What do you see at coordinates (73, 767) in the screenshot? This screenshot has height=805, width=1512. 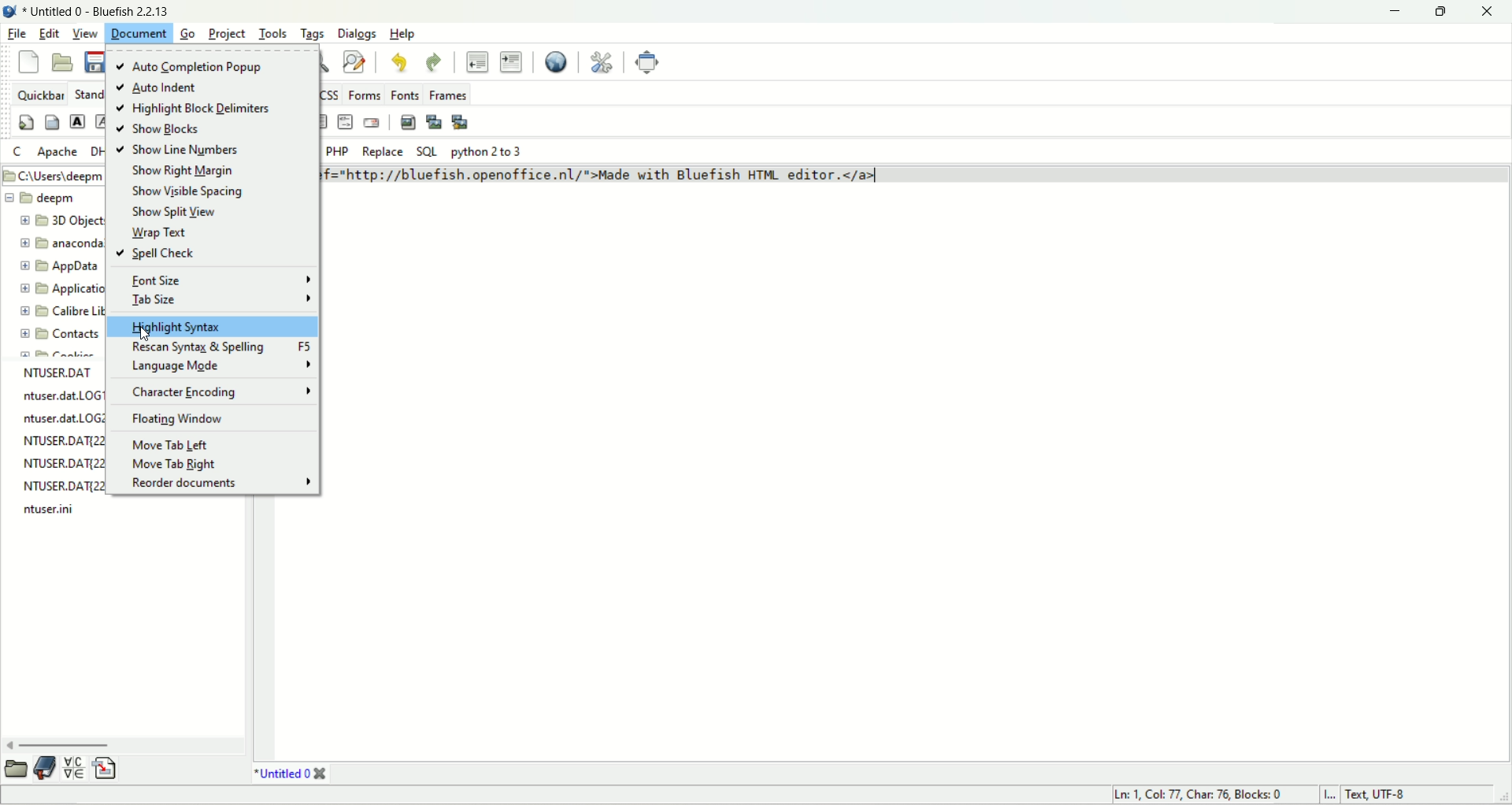 I see `insert special character` at bounding box center [73, 767].